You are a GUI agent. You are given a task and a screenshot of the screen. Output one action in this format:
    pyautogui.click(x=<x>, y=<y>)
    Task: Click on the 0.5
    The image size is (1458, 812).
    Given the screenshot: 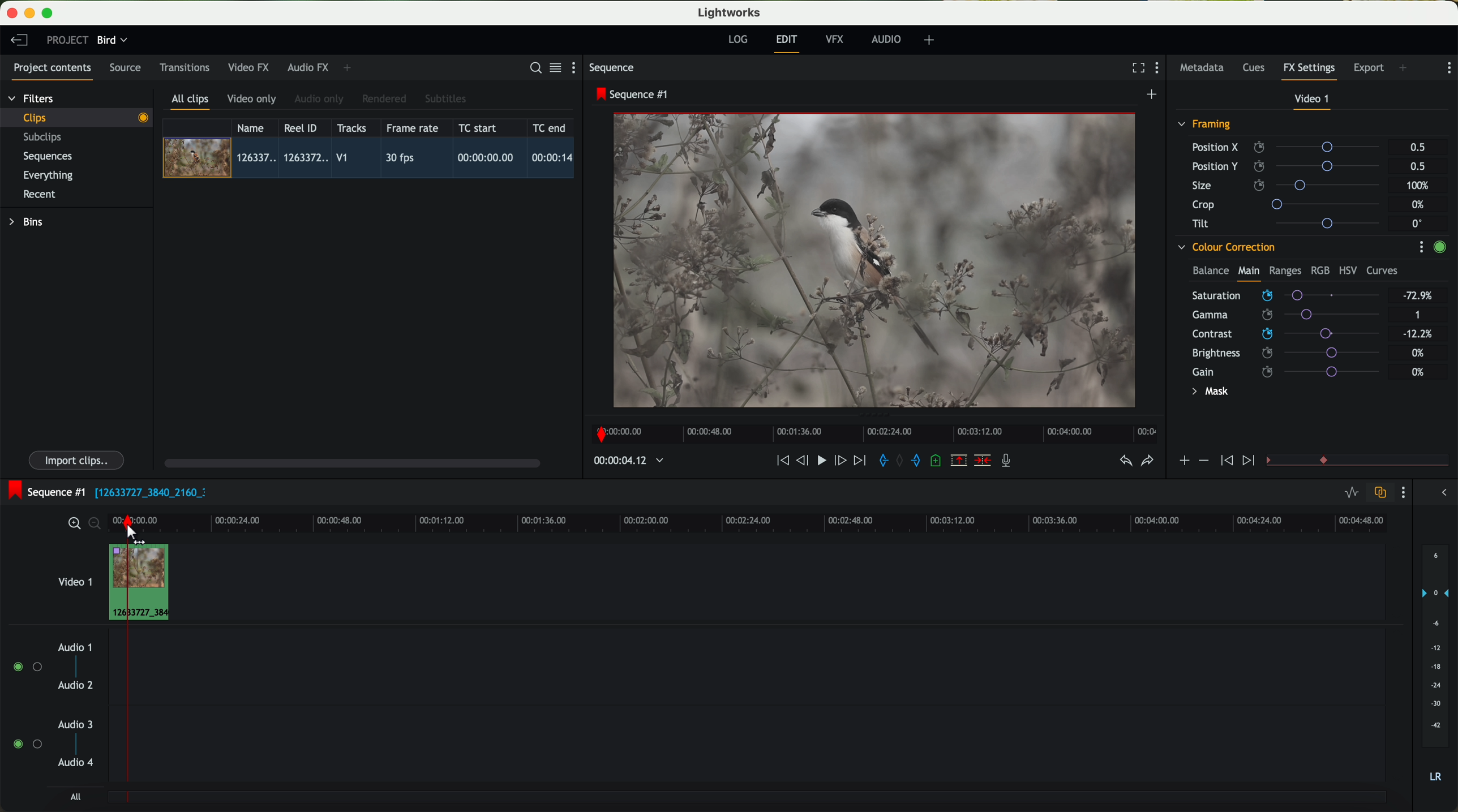 What is the action you would take?
    pyautogui.click(x=1417, y=166)
    